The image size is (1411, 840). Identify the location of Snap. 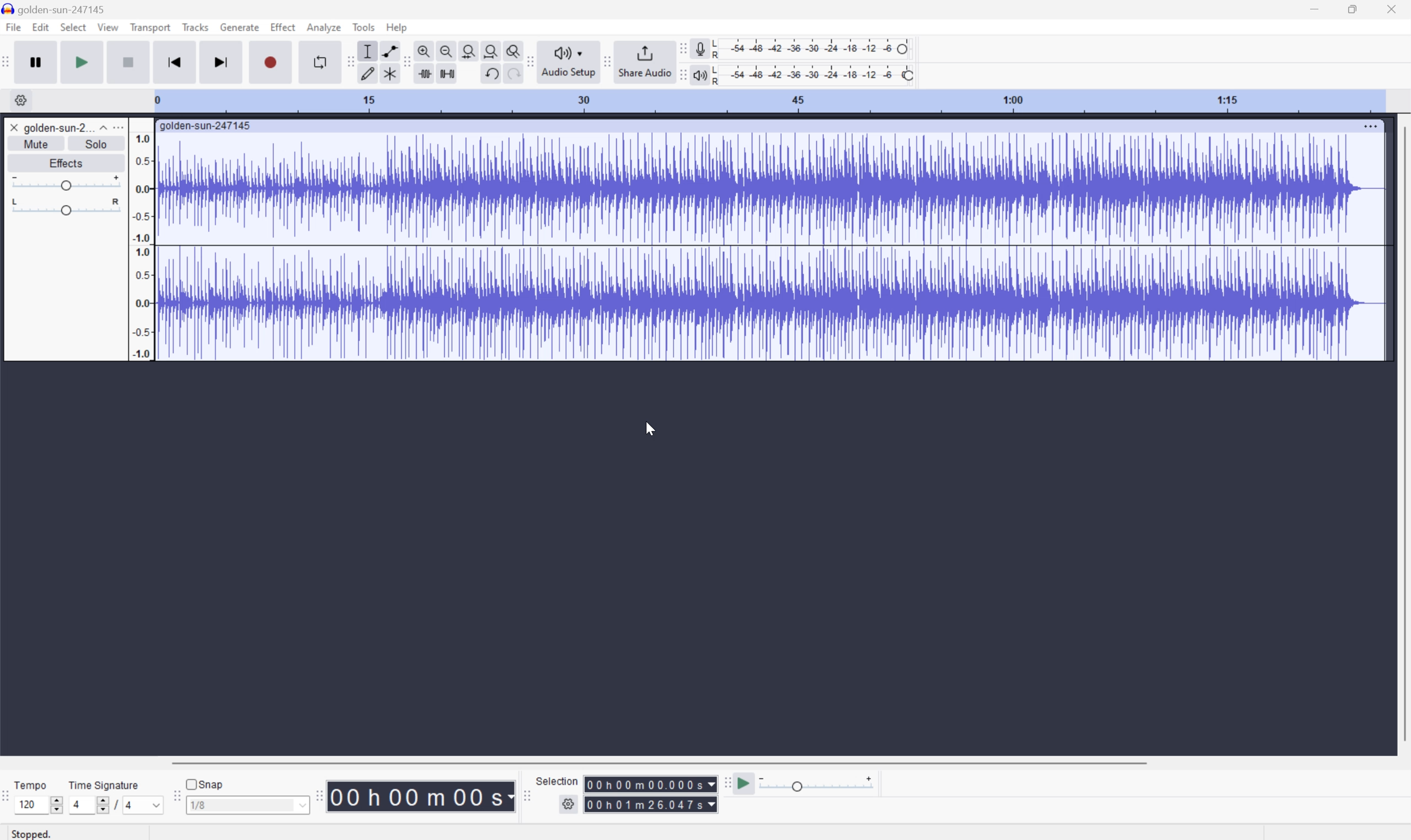
(205, 783).